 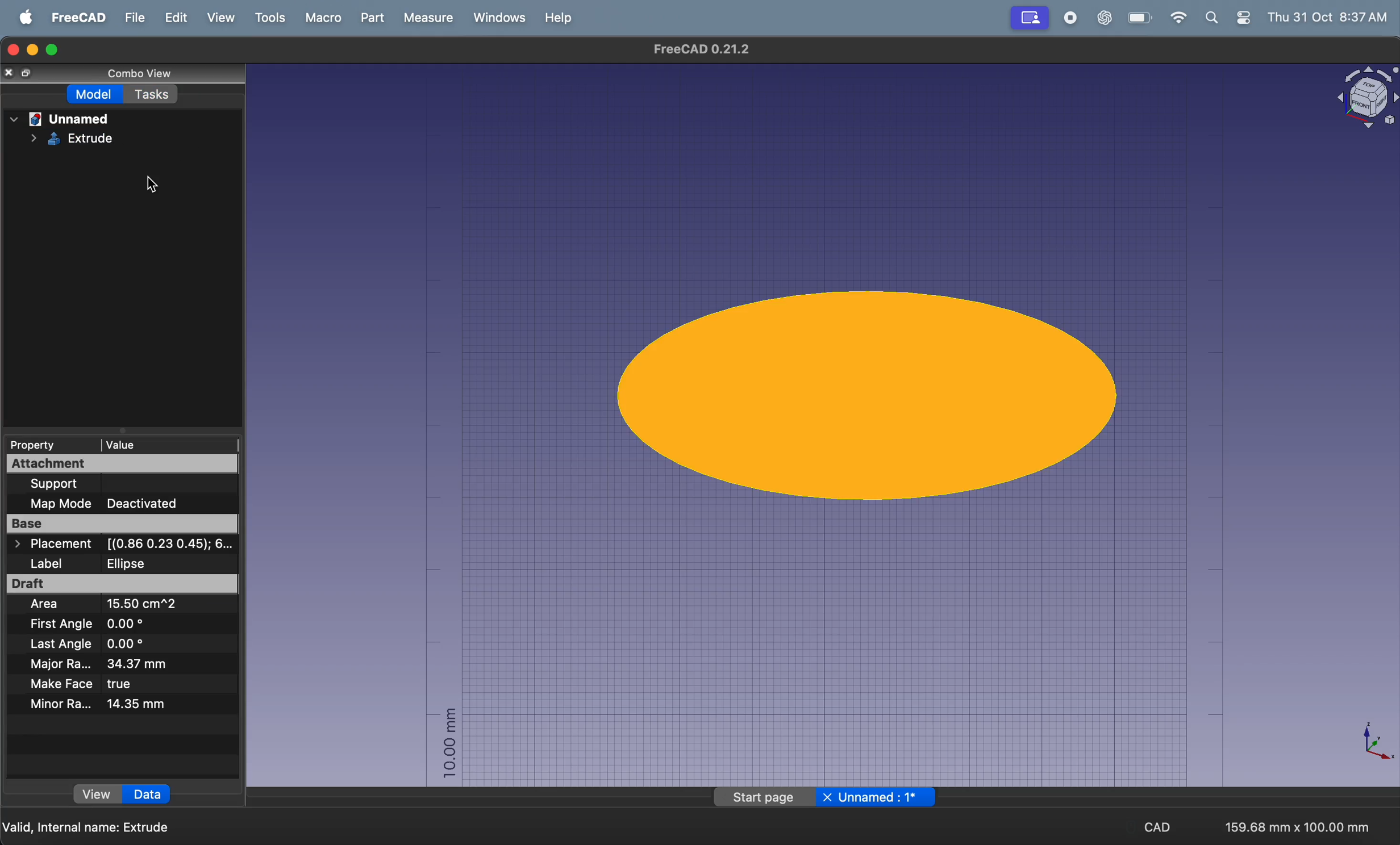 What do you see at coordinates (131, 19) in the screenshot?
I see `file` at bounding box center [131, 19].